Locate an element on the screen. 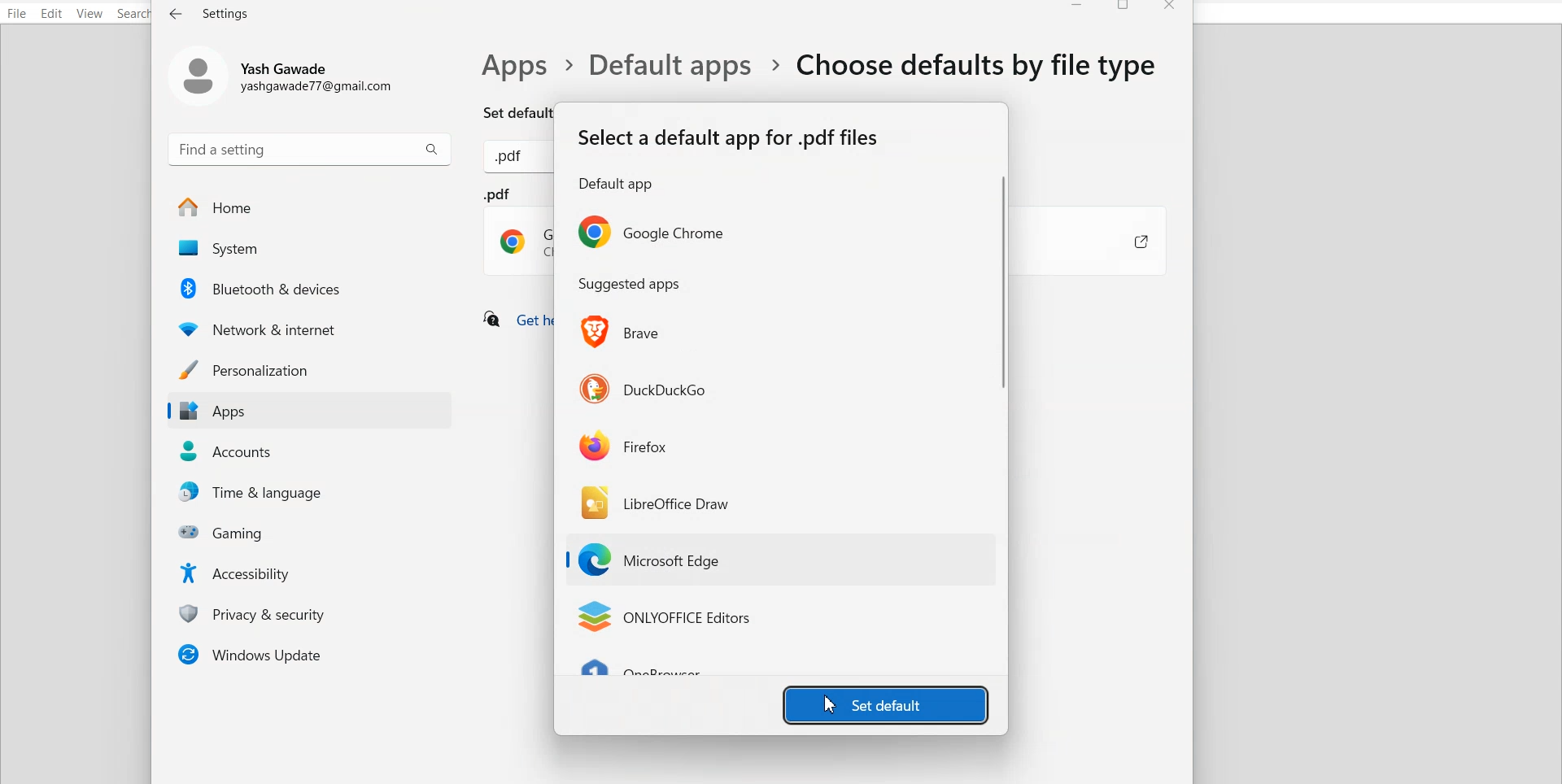  Accounts is located at coordinates (311, 451).